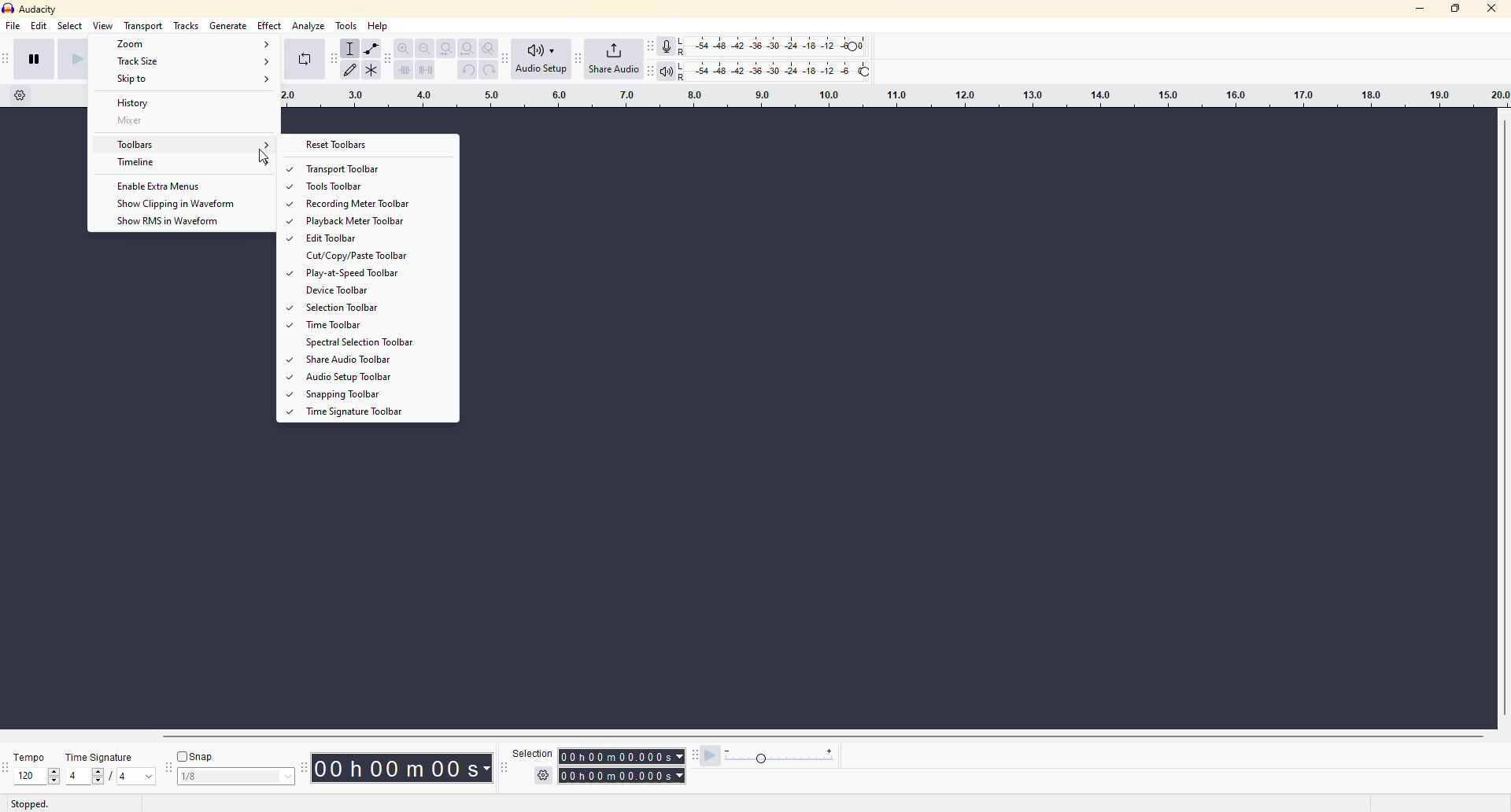 The image size is (1511, 812). I want to click on recording meter toolbar, so click(350, 205).